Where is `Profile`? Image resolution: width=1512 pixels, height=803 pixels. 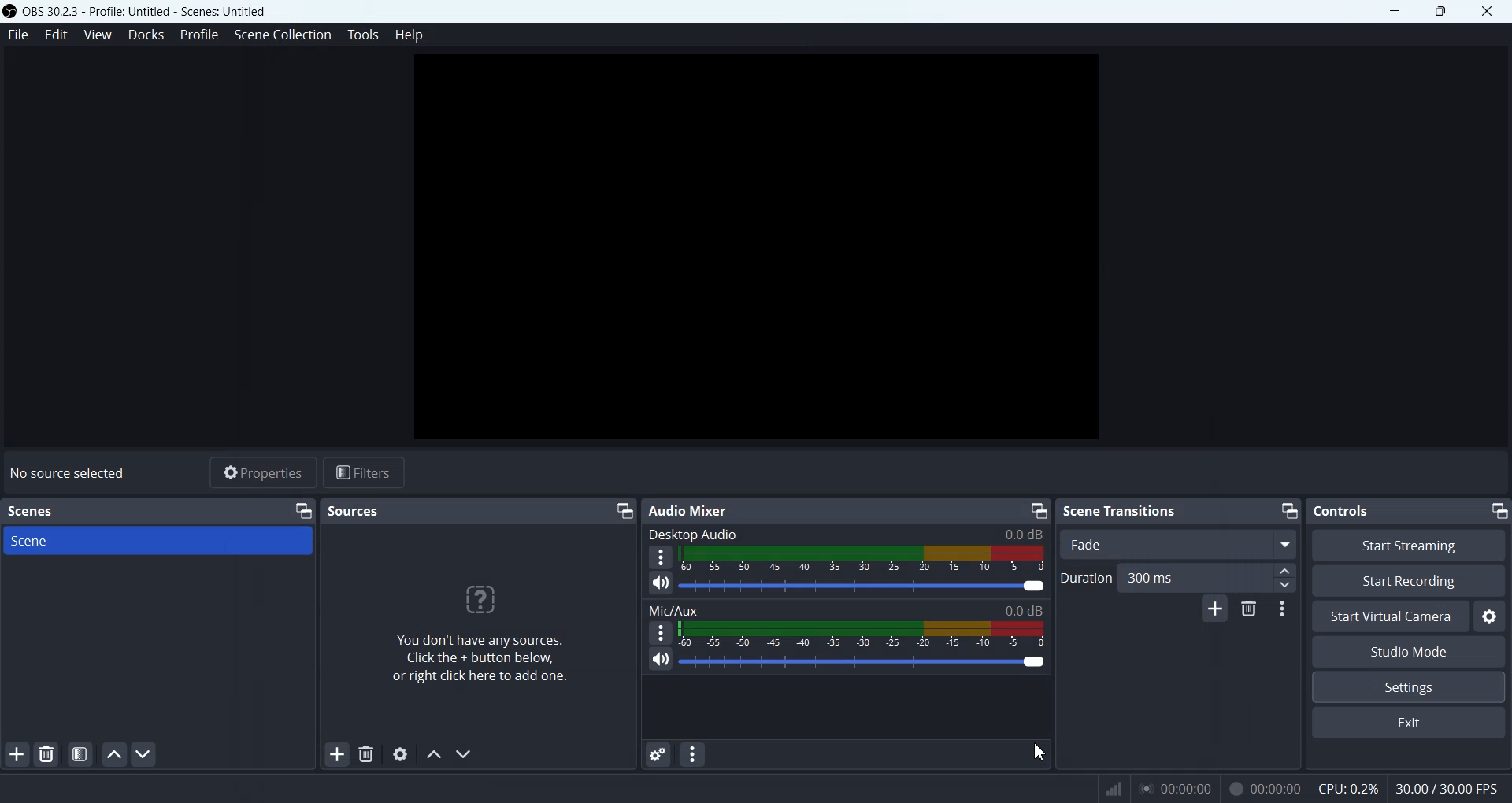 Profile is located at coordinates (197, 36).